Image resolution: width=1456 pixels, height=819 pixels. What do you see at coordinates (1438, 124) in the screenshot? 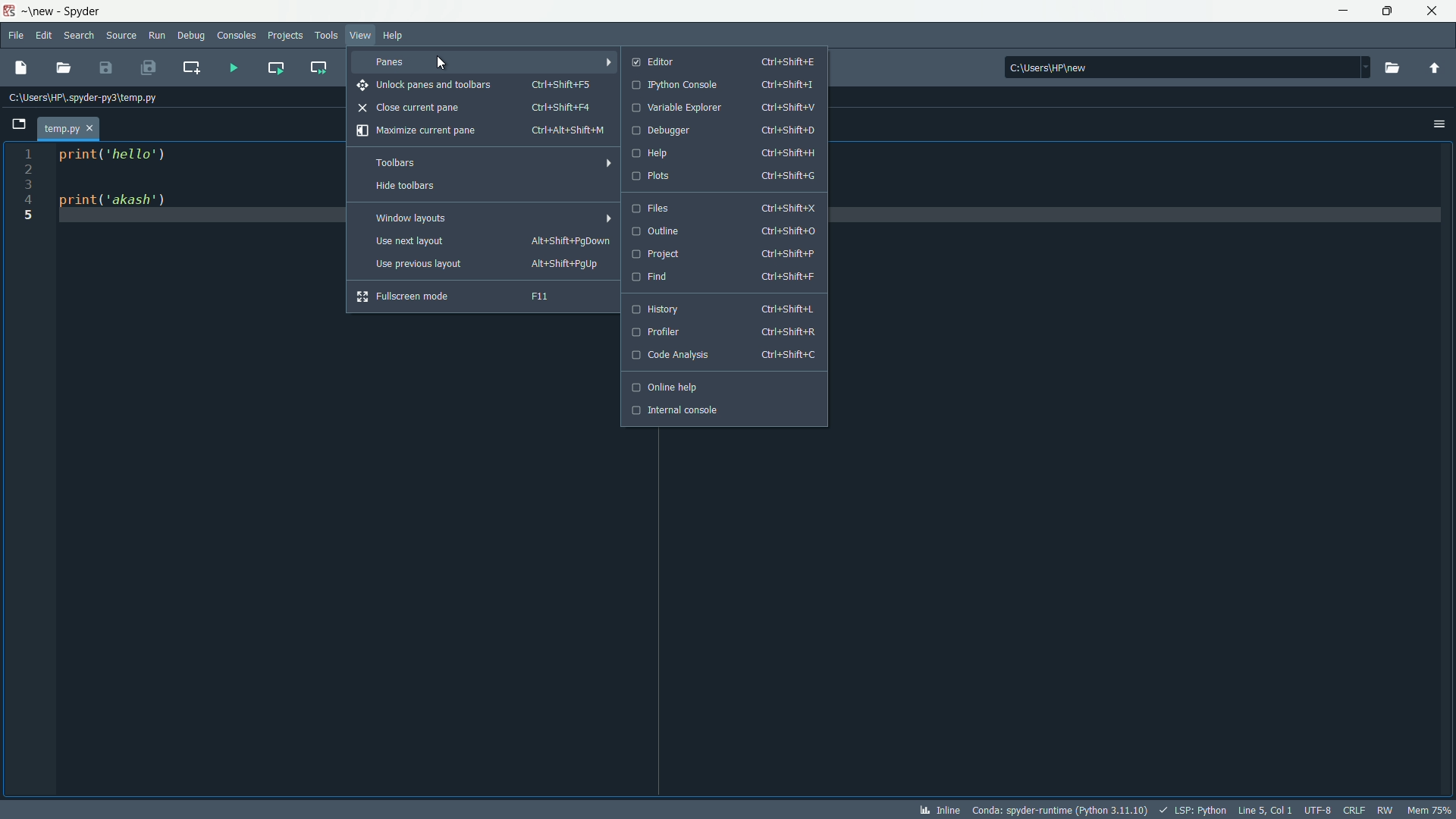
I see `options` at bounding box center [1438, 124].